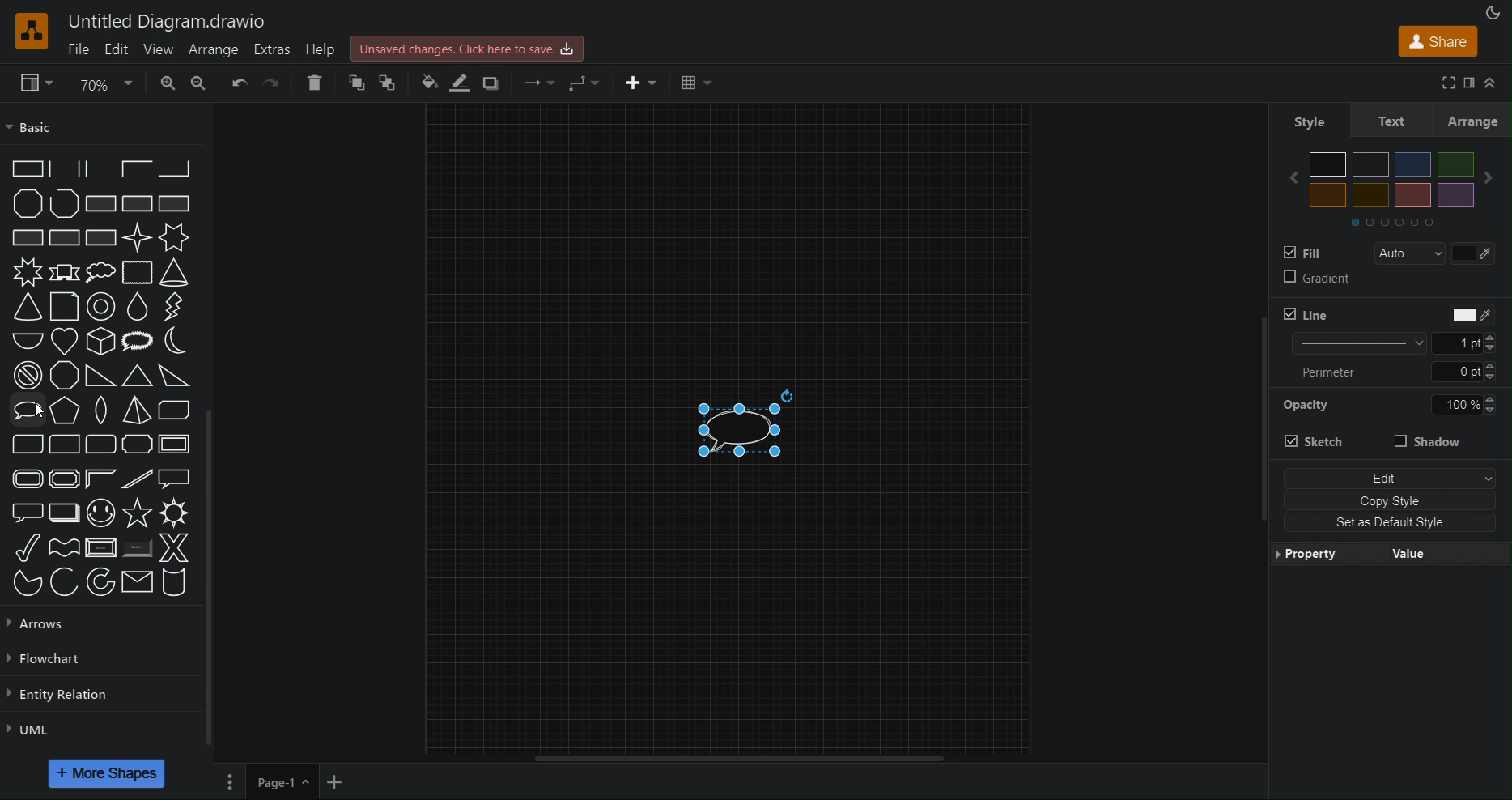  What do you see at coordinates (1482, 255) in the screenshot?
I see `Fill Color` at bounding box center [1482, 255].